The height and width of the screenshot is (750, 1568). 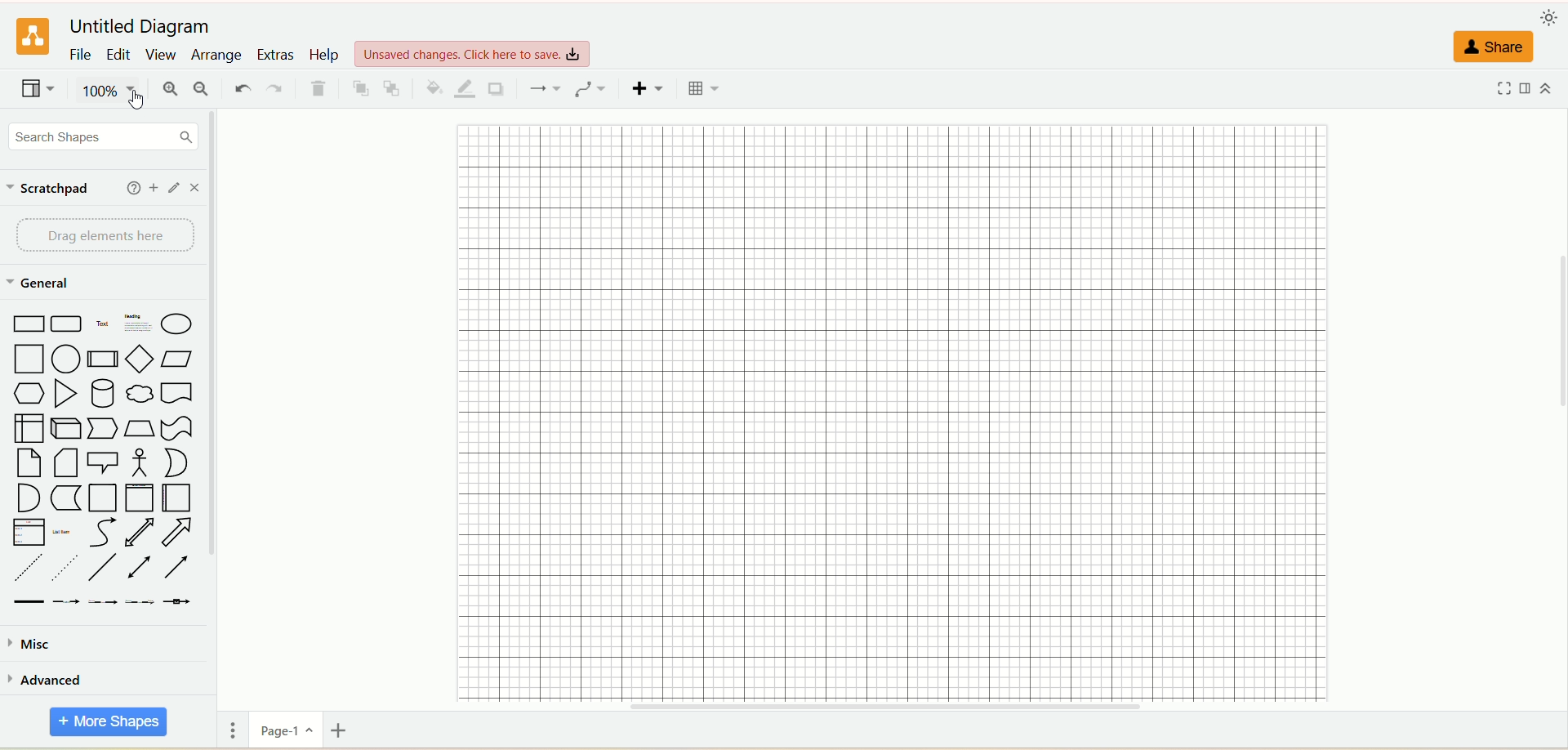 I want to click on format, so click(x=1532, y=88).